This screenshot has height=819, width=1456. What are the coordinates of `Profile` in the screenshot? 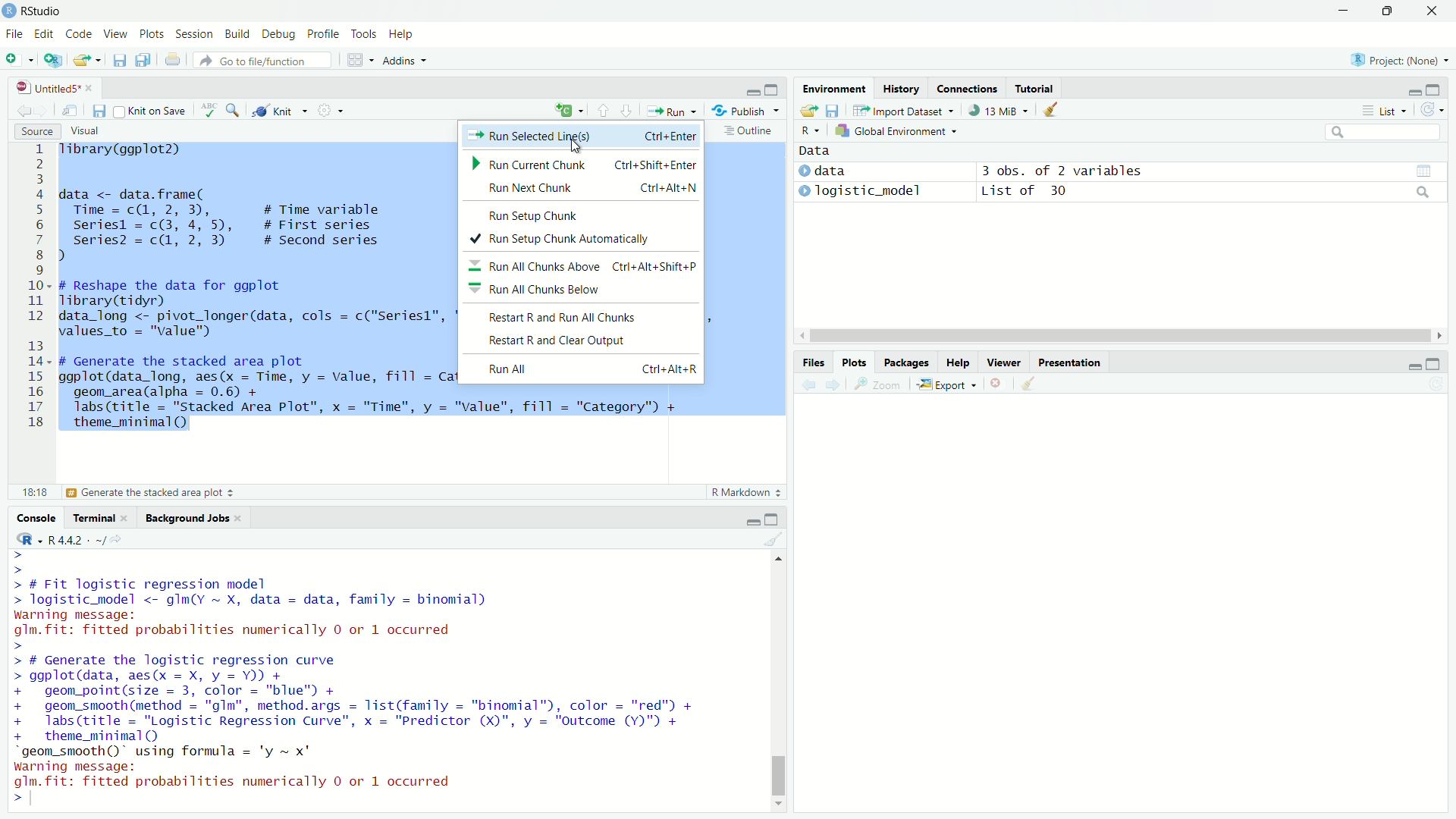 It's located at (320, 33).